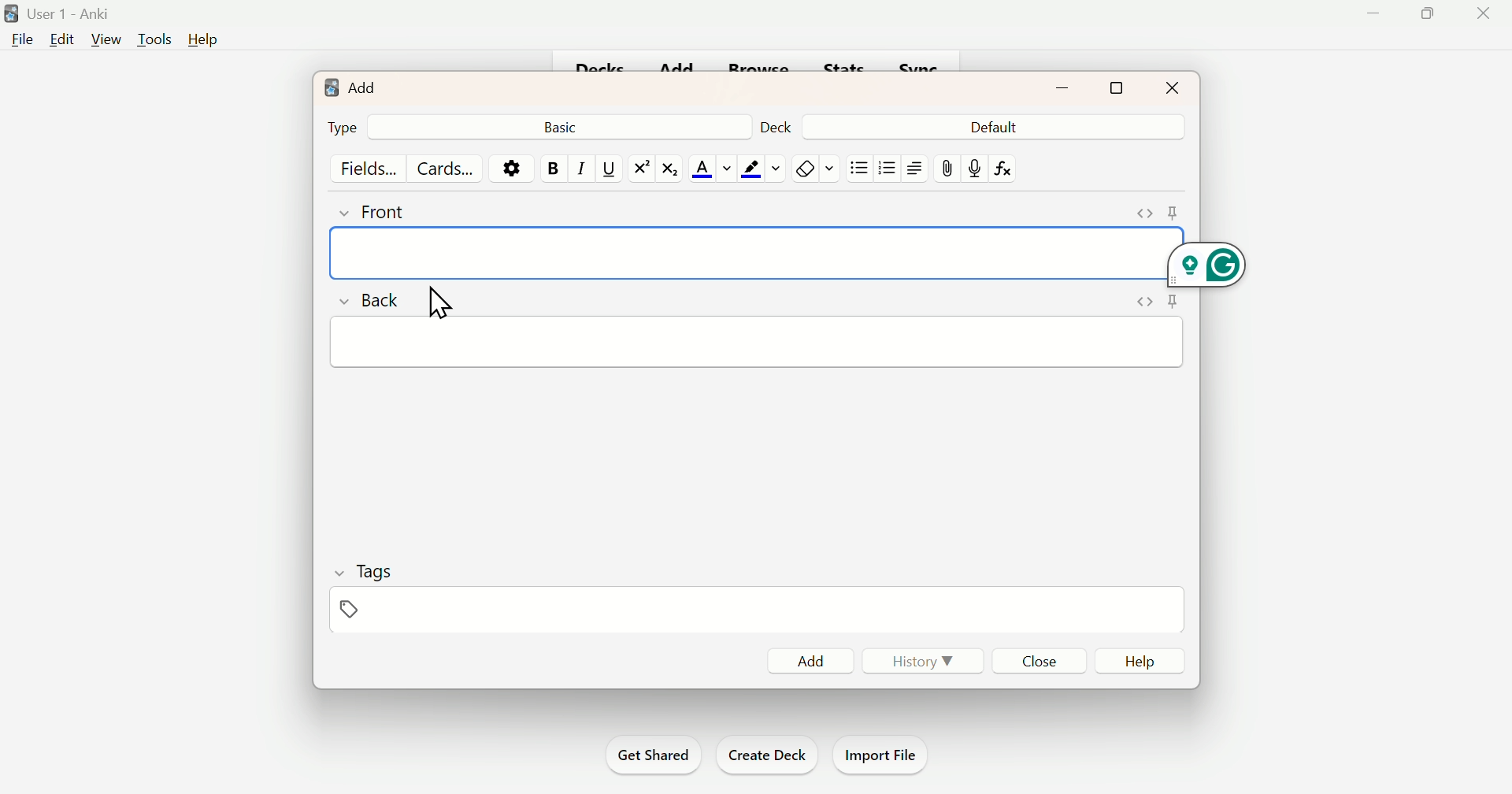 This screenshot has width=1512, height=794. What do you see at coordinates (549, 169) in the screenshot?
I see `Bold` at bounding box center [549, 169].